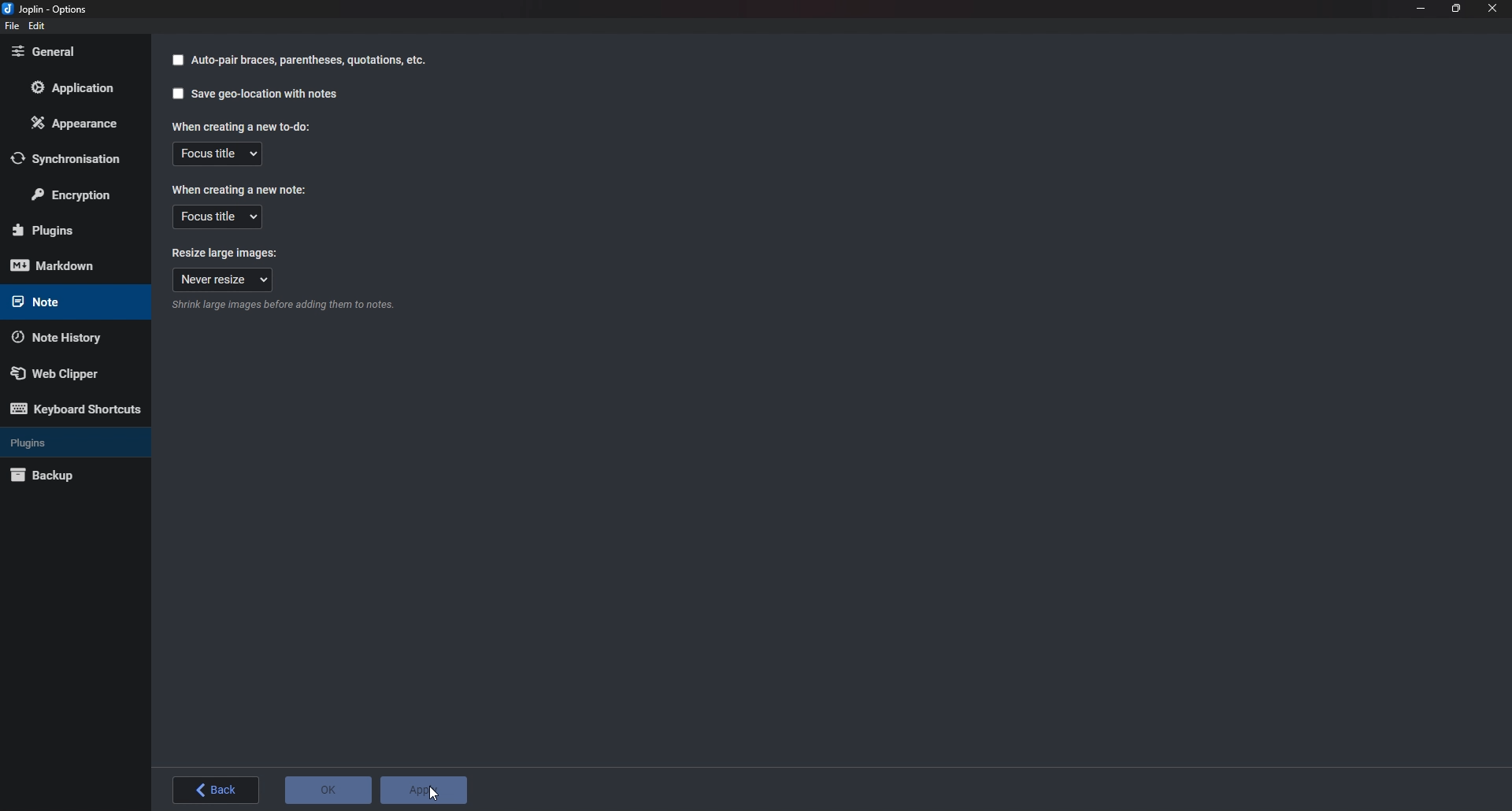  I want to click on autopair braces parenthesis quotation, so click(309, 62).